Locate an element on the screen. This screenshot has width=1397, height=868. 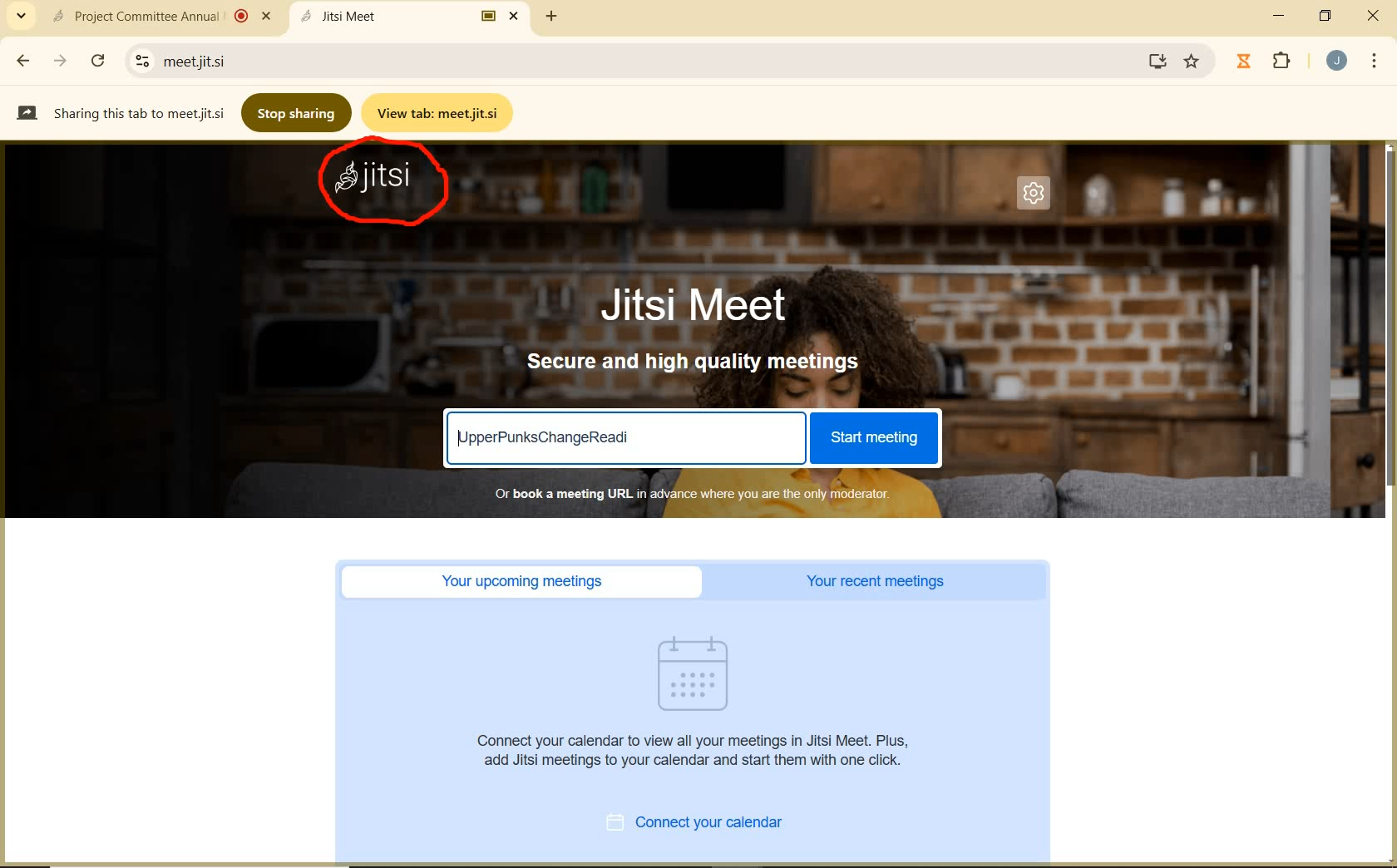
close is located at coordinates (1372, 17).